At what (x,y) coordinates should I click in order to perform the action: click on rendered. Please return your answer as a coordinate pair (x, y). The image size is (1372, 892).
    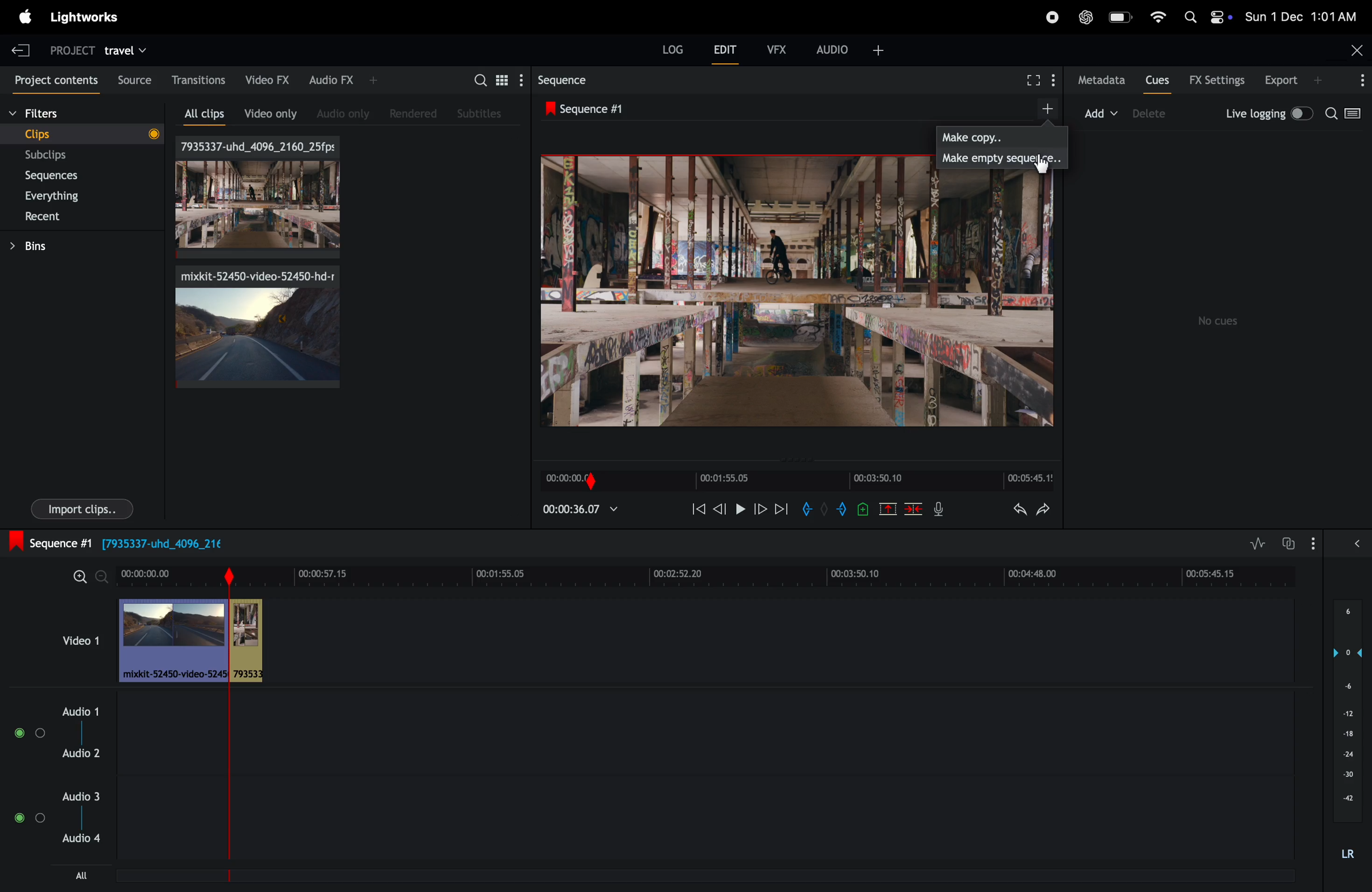
    Looking at the image, I should click on (413, 113).